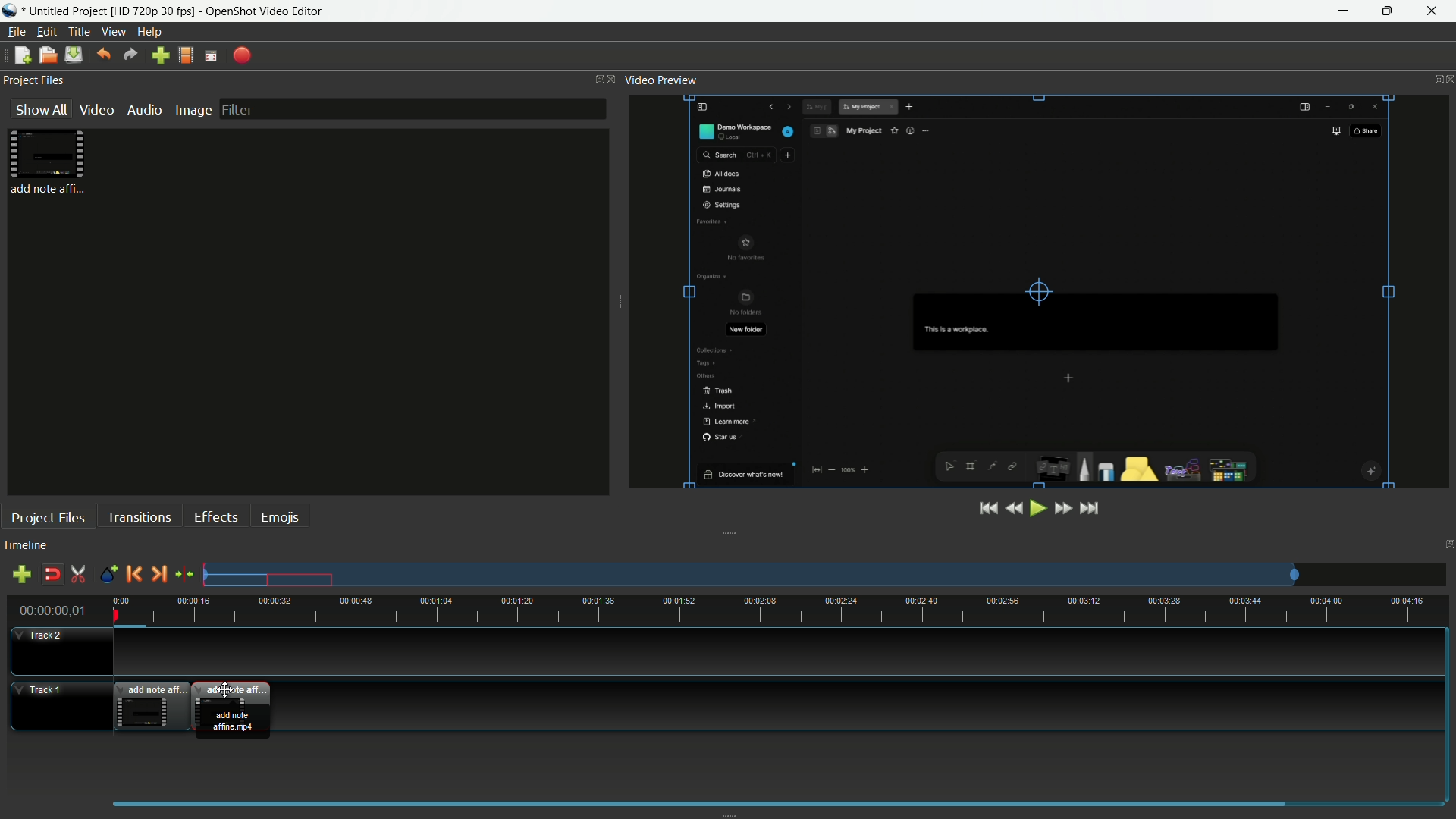 This screenshot has width=1456, height=819. What do you see at coordinates (593, 80) in the screenshot?
I see `change layout` at bounding box center [593, 80].